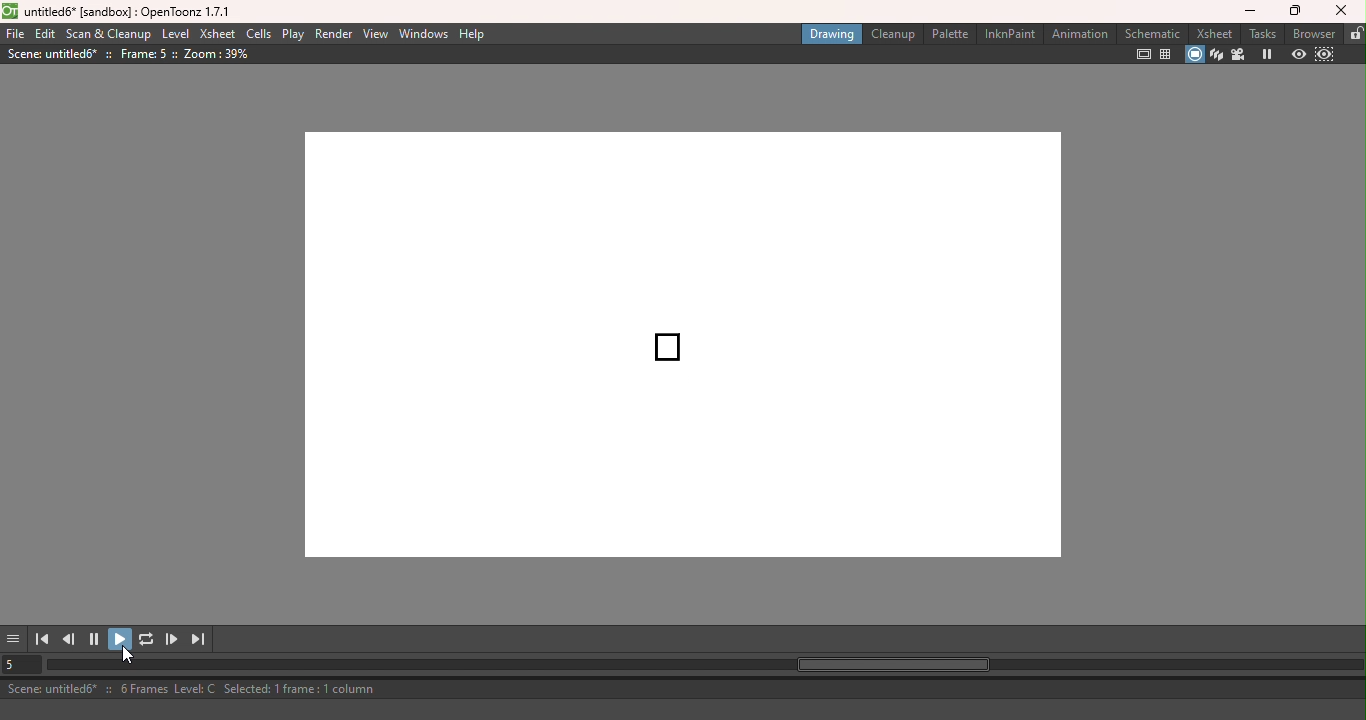 This screenshot has width=1366, height=720. What do you see at coordinates (952, 34) in the screenshot?
I see `Palette` at bounding box center [952, 34].